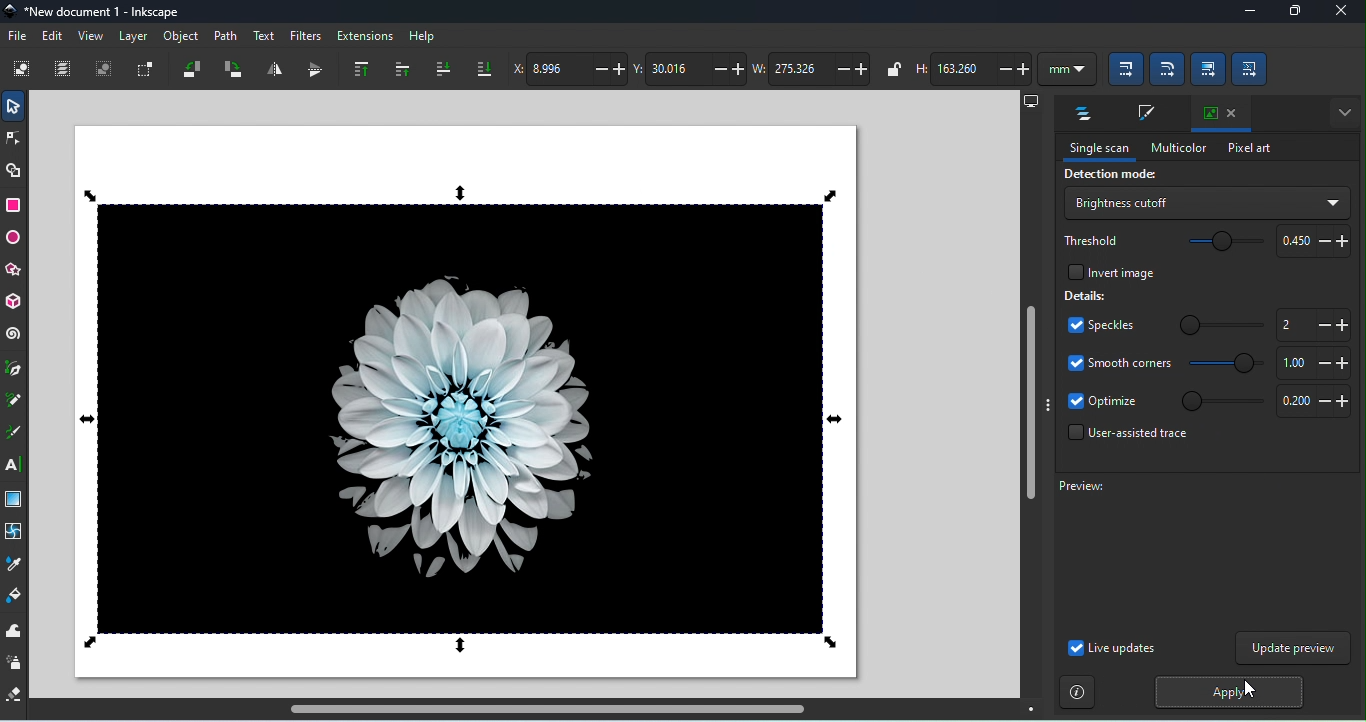 The height and width of the screenshot is (722, 1366). I want to click on Close tab, so click(1219, 111).